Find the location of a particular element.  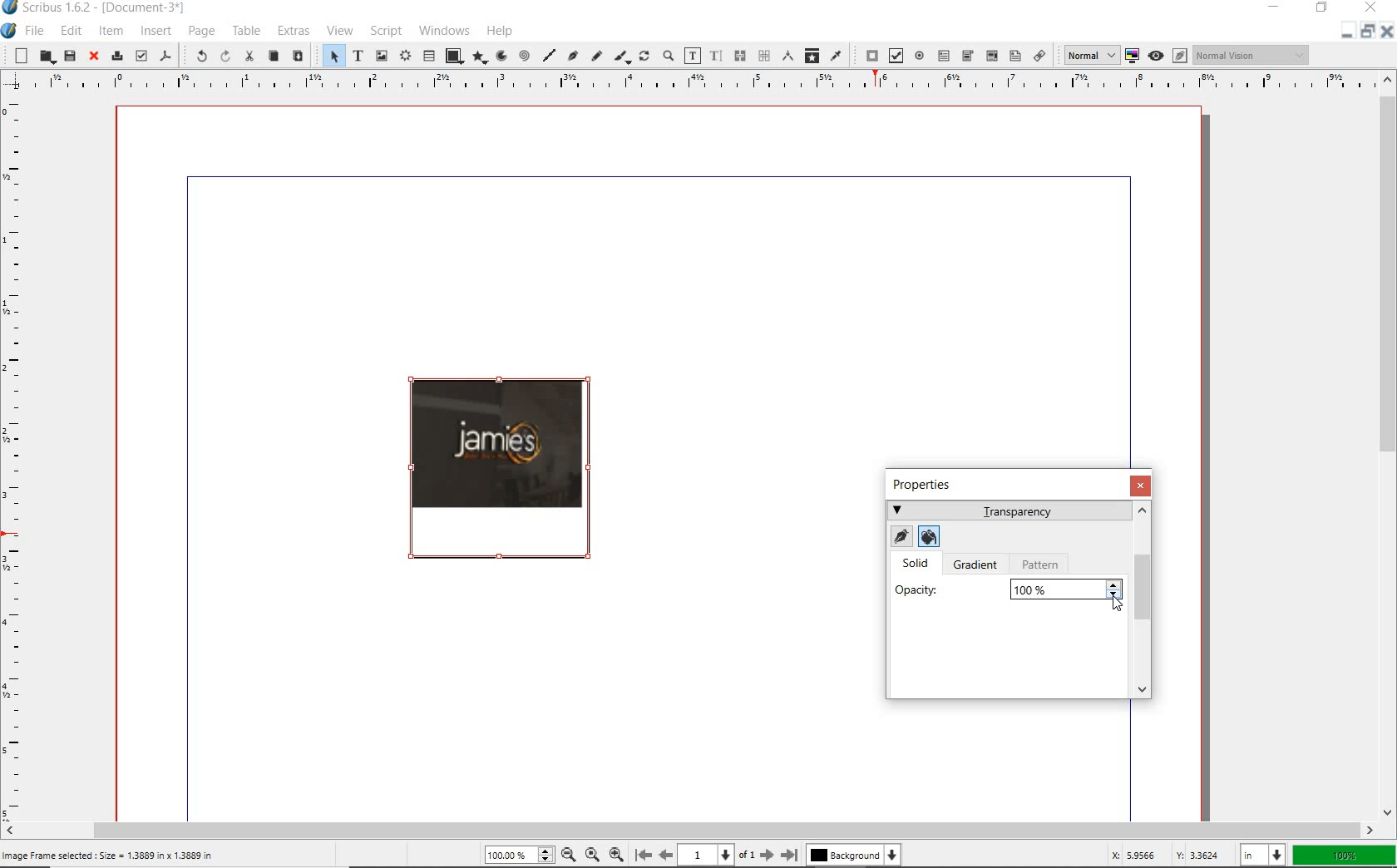

last is located at coordinates (790, 856).